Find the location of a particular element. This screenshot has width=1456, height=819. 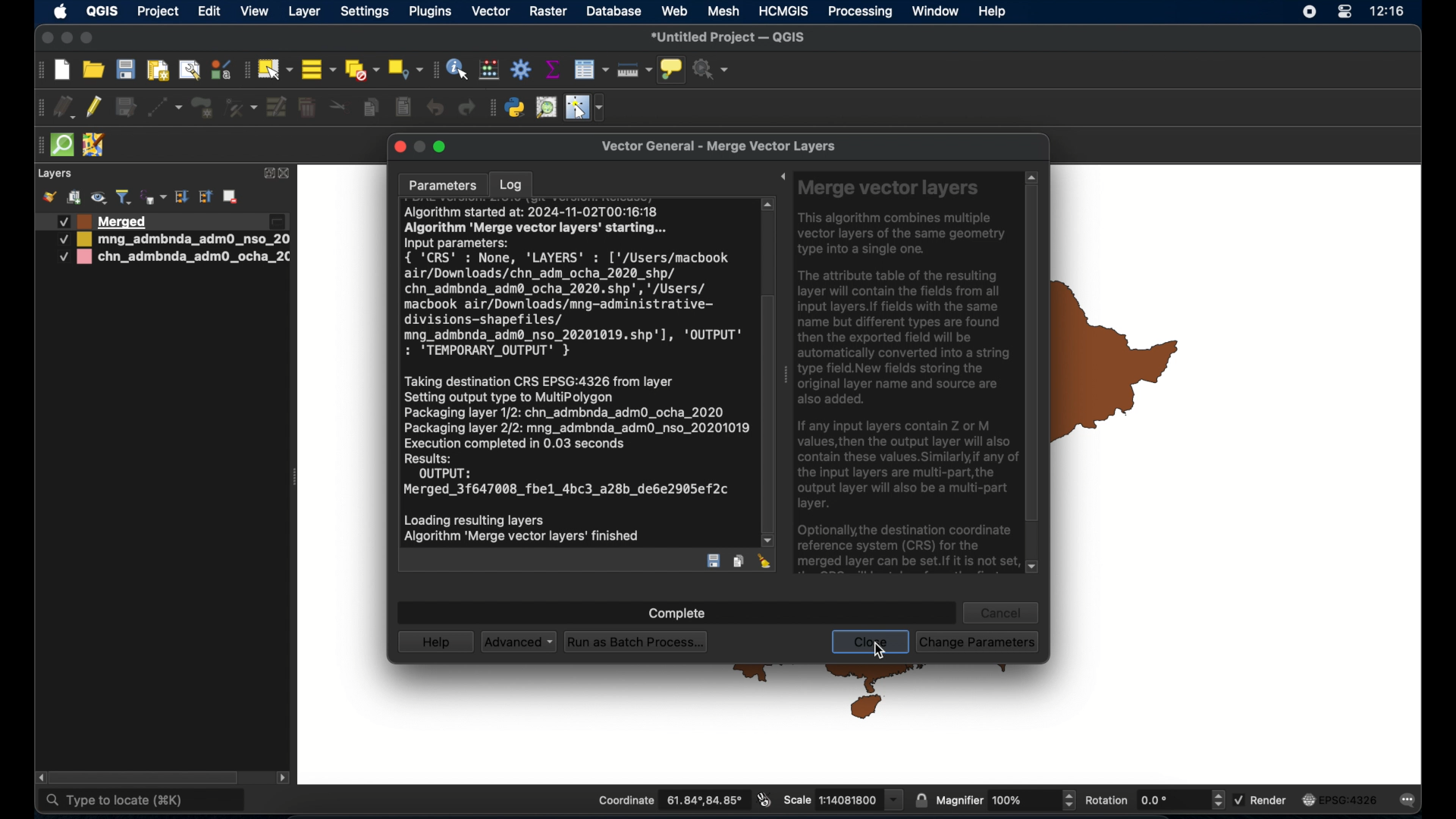

view is located at coordinates (255, 13).